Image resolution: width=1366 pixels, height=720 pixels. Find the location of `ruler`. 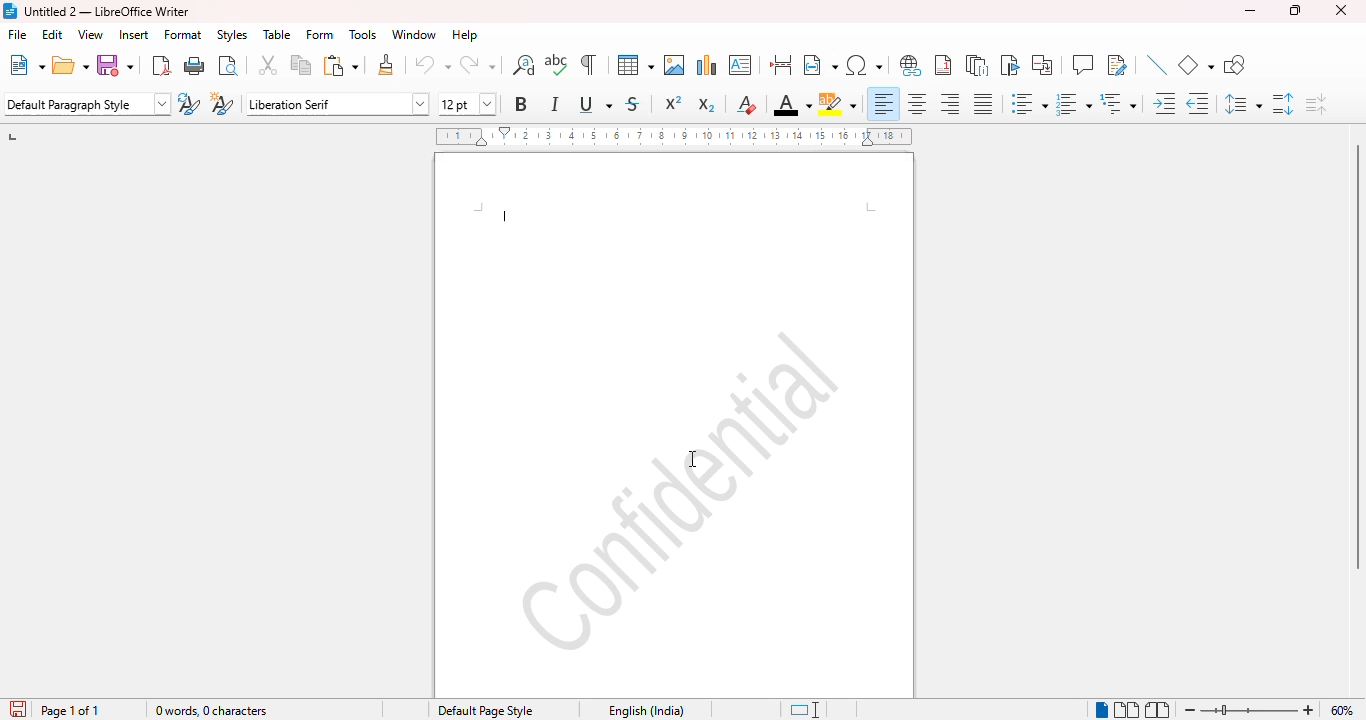

ruler is located at coordinates (674, 136).